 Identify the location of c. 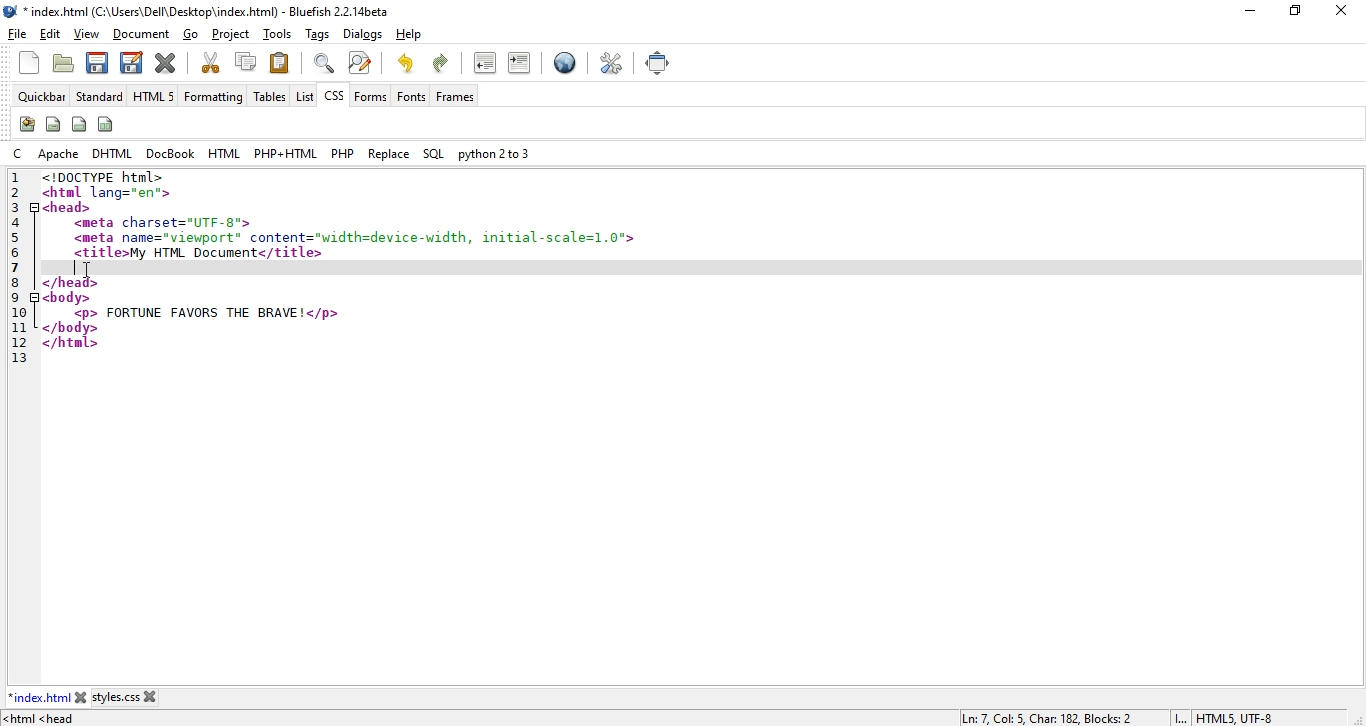
(21, 153).